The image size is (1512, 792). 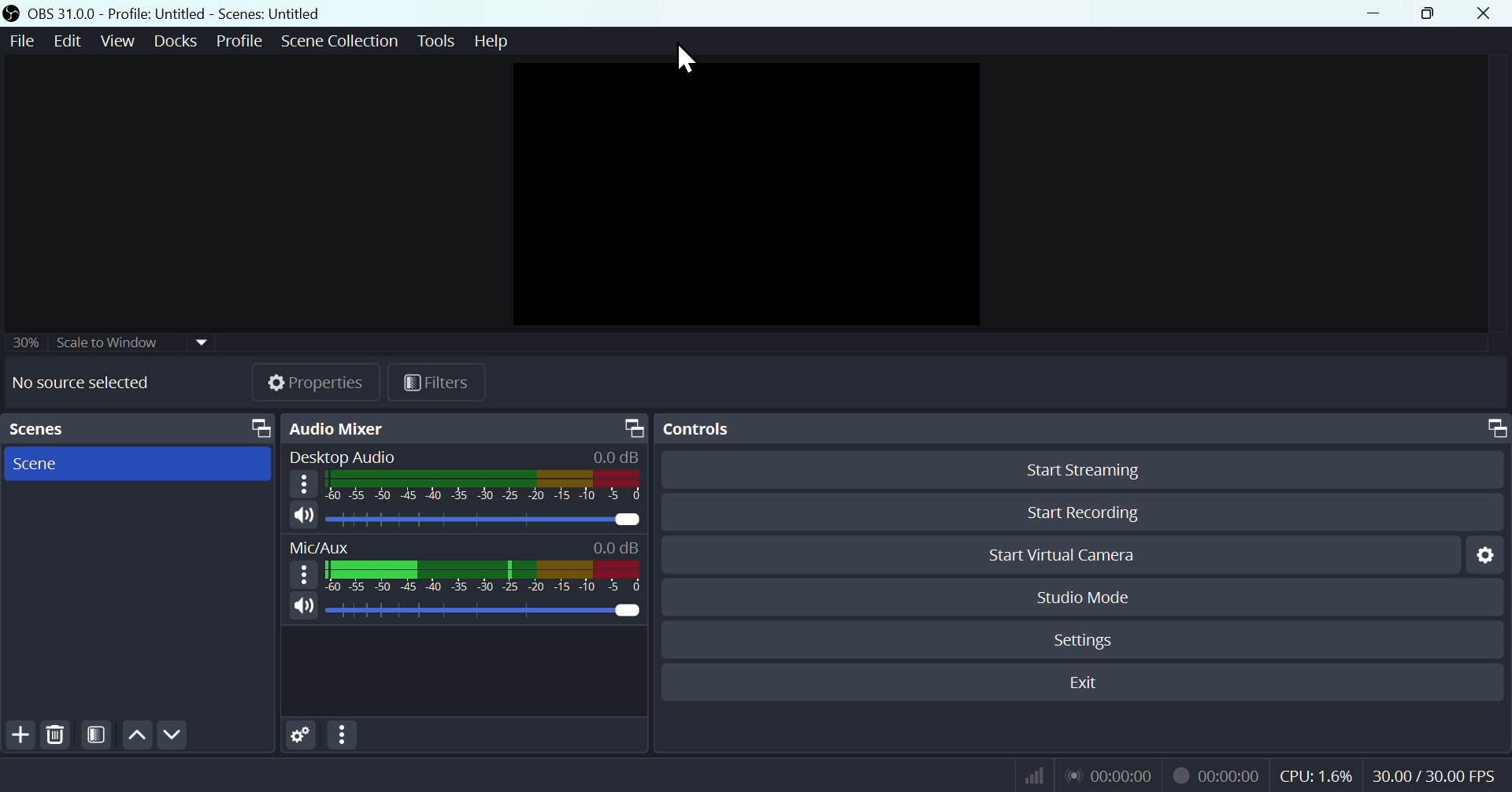 I want to click on Bitrate, so click(x=1032, y=775).